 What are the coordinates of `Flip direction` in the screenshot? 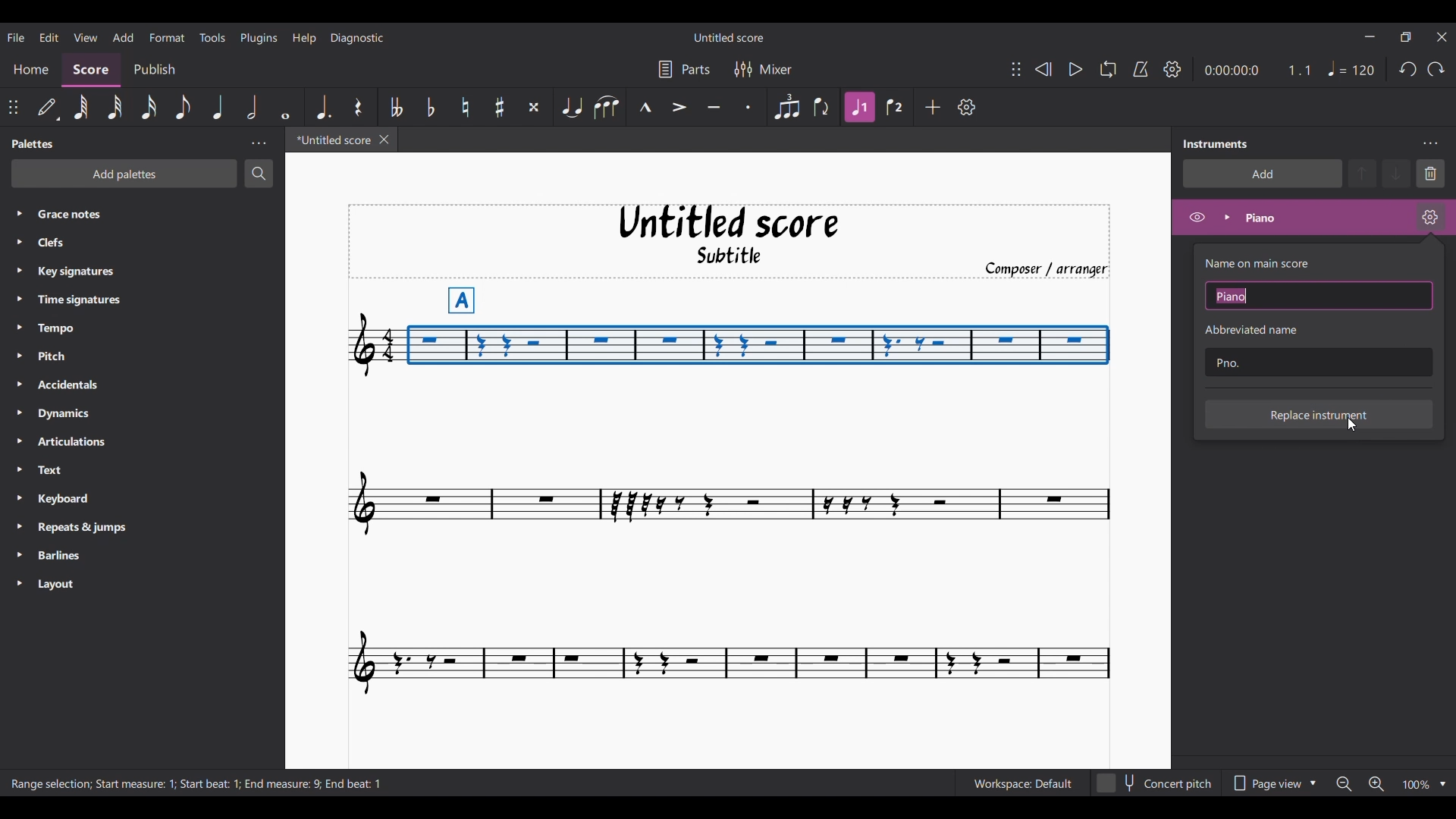 It's located at (821, 107).